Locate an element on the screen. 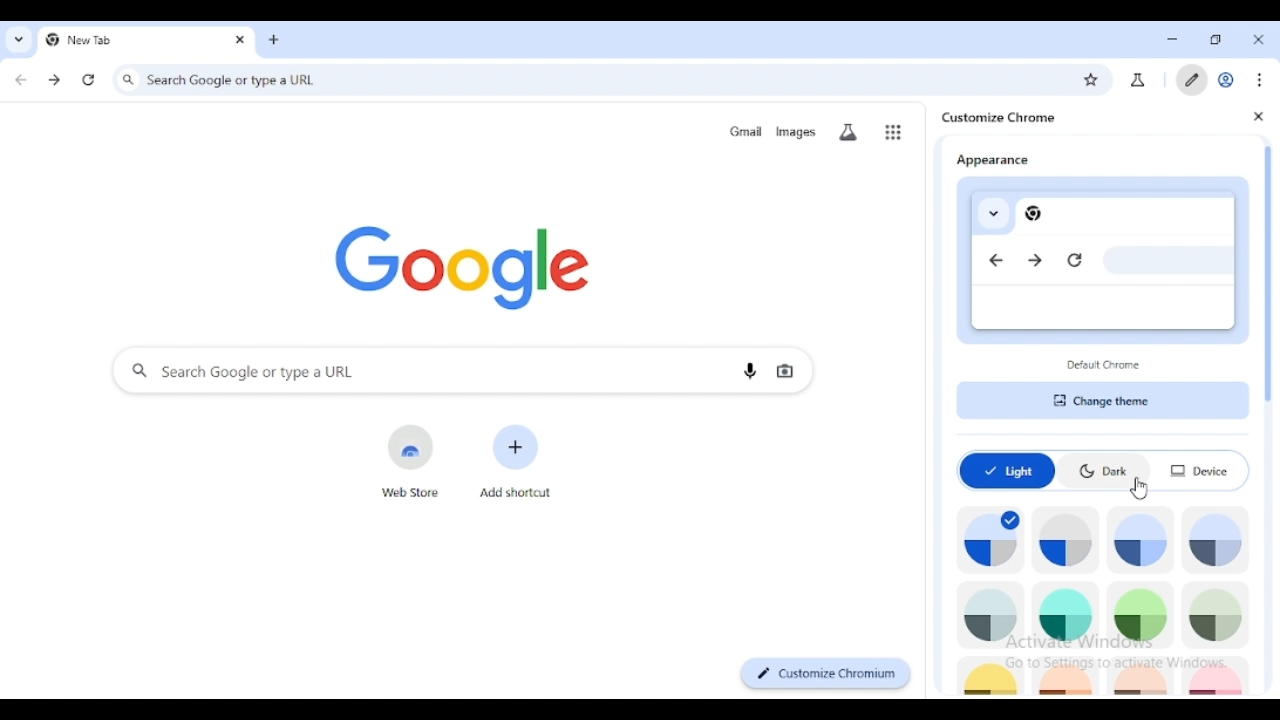 This screenshot has height=720, width=1280. grey is located at coordinates (993, 615).